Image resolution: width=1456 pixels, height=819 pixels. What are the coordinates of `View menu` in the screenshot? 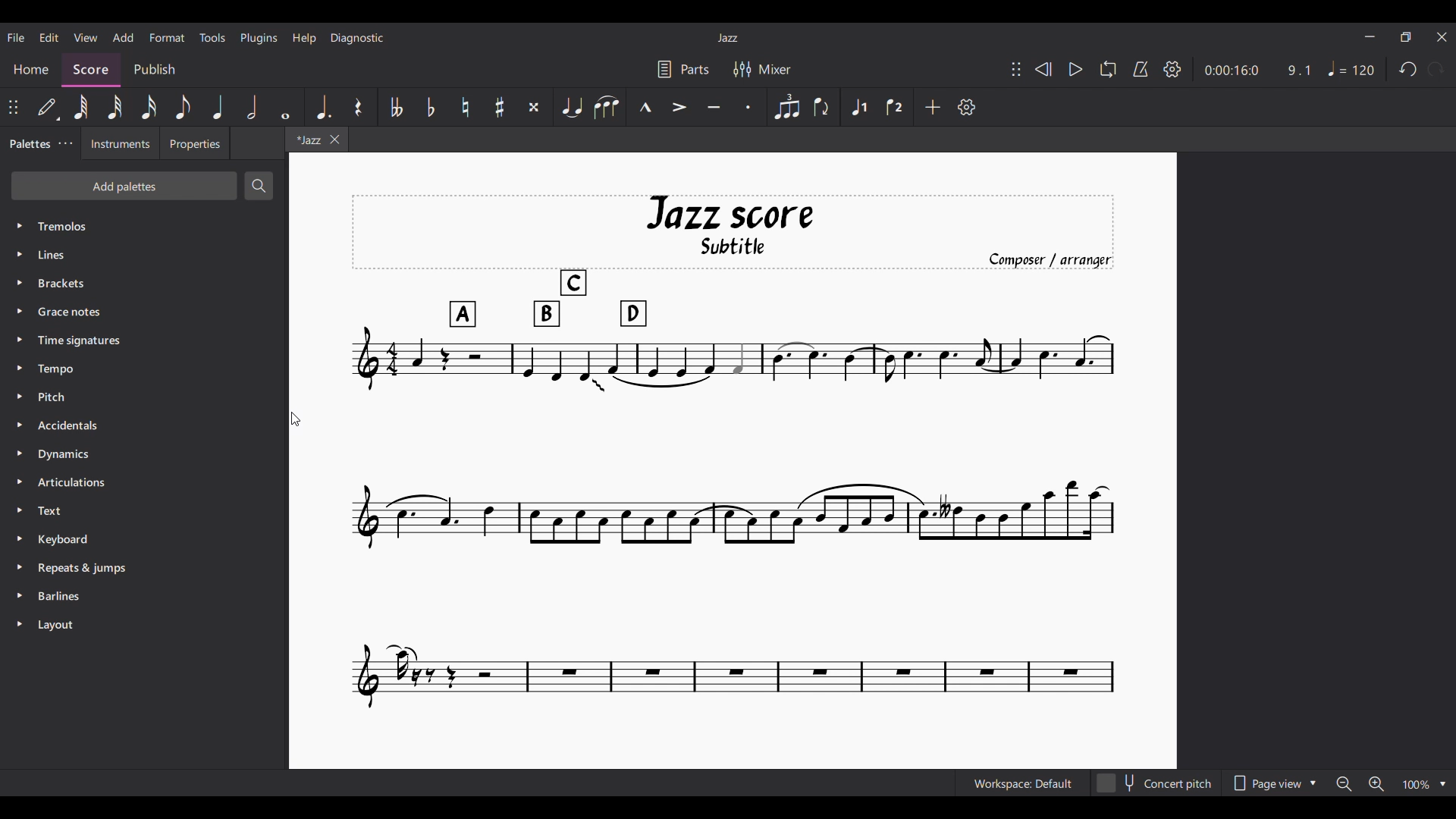 It's located at (86, 37).